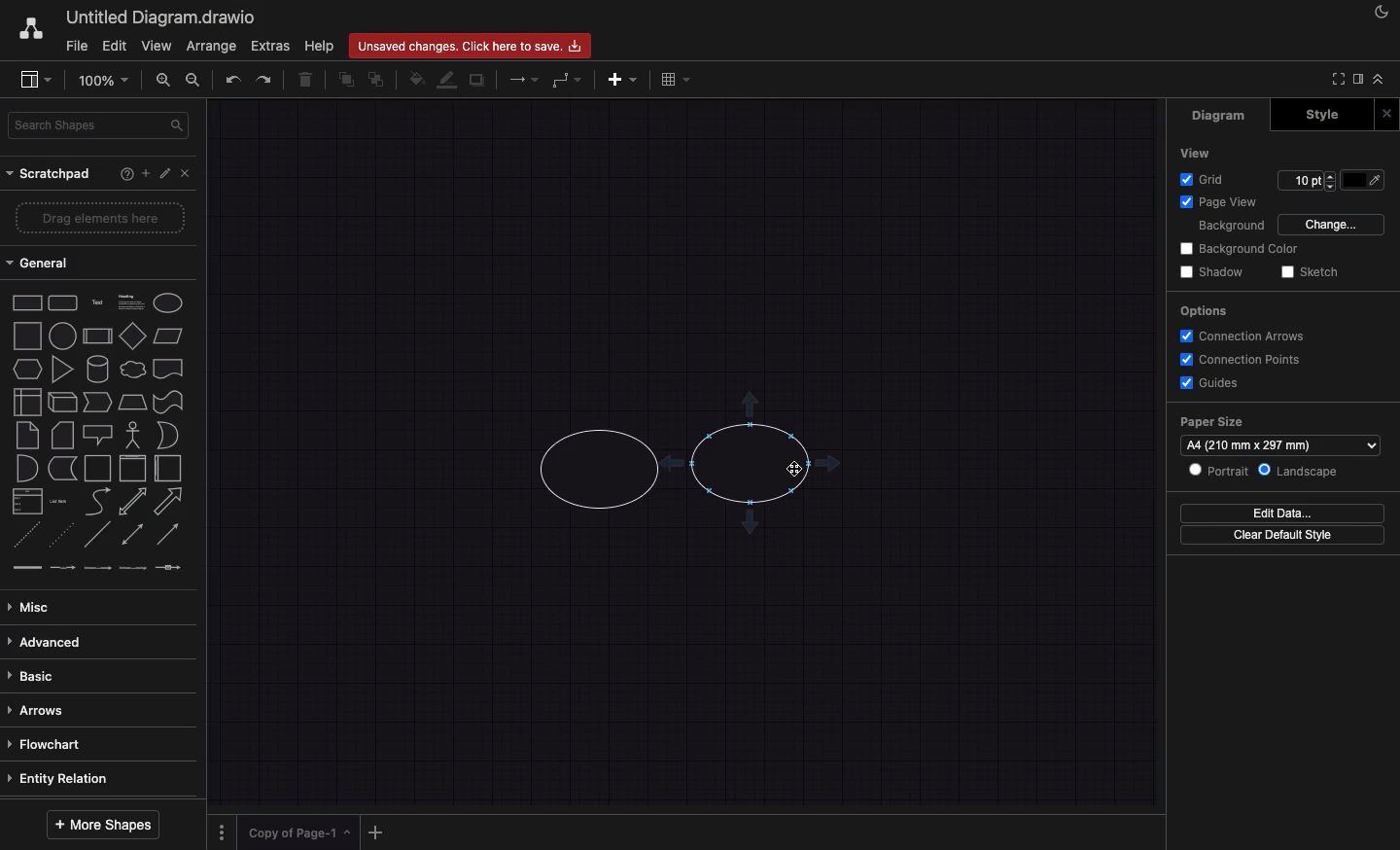 The width and height of the screenshot is (1400, 850). I want to click on process, so click(96, 336).